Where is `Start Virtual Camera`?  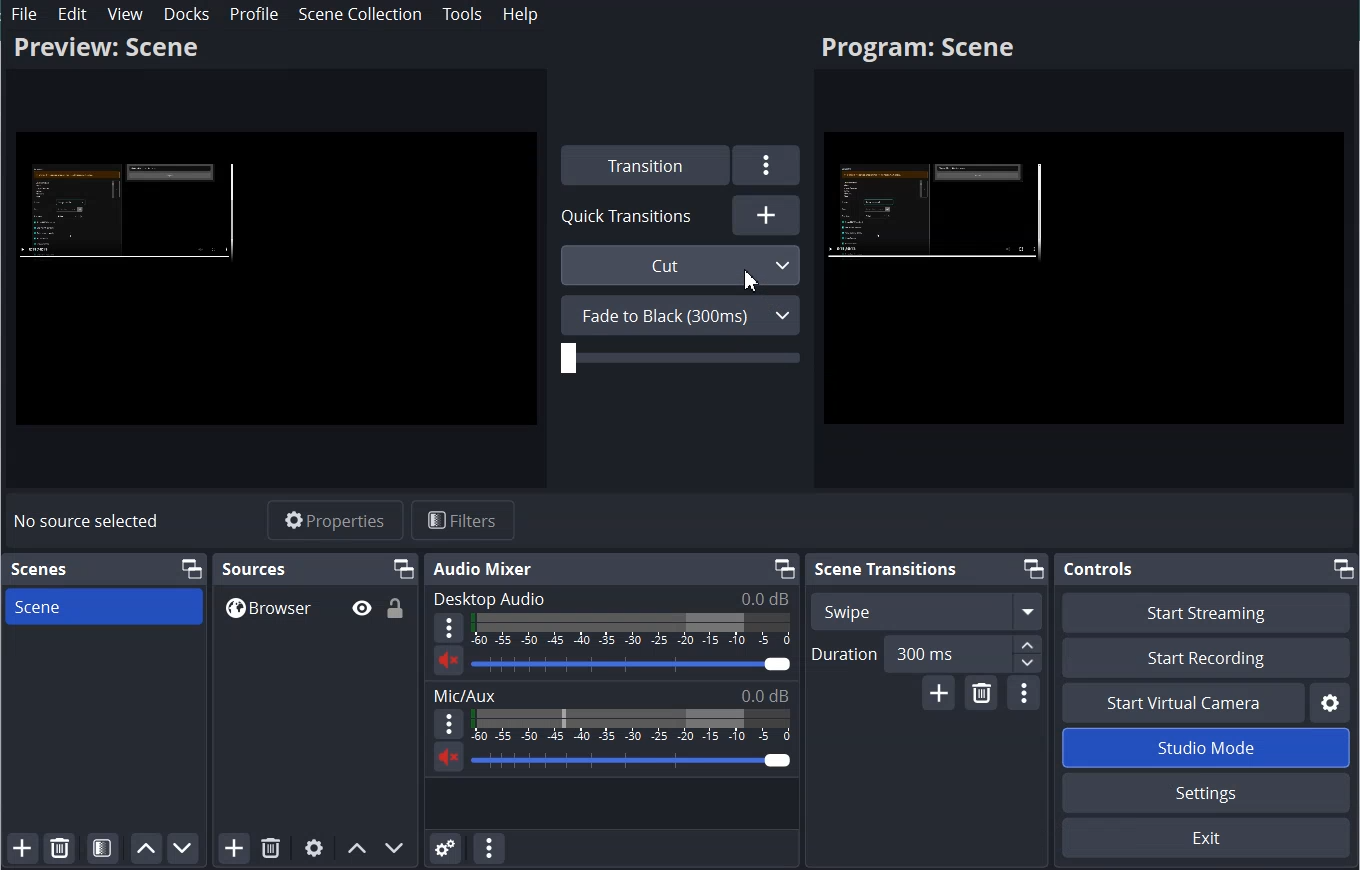 Start Virtual Camera is located at coordinates (1181, 702).